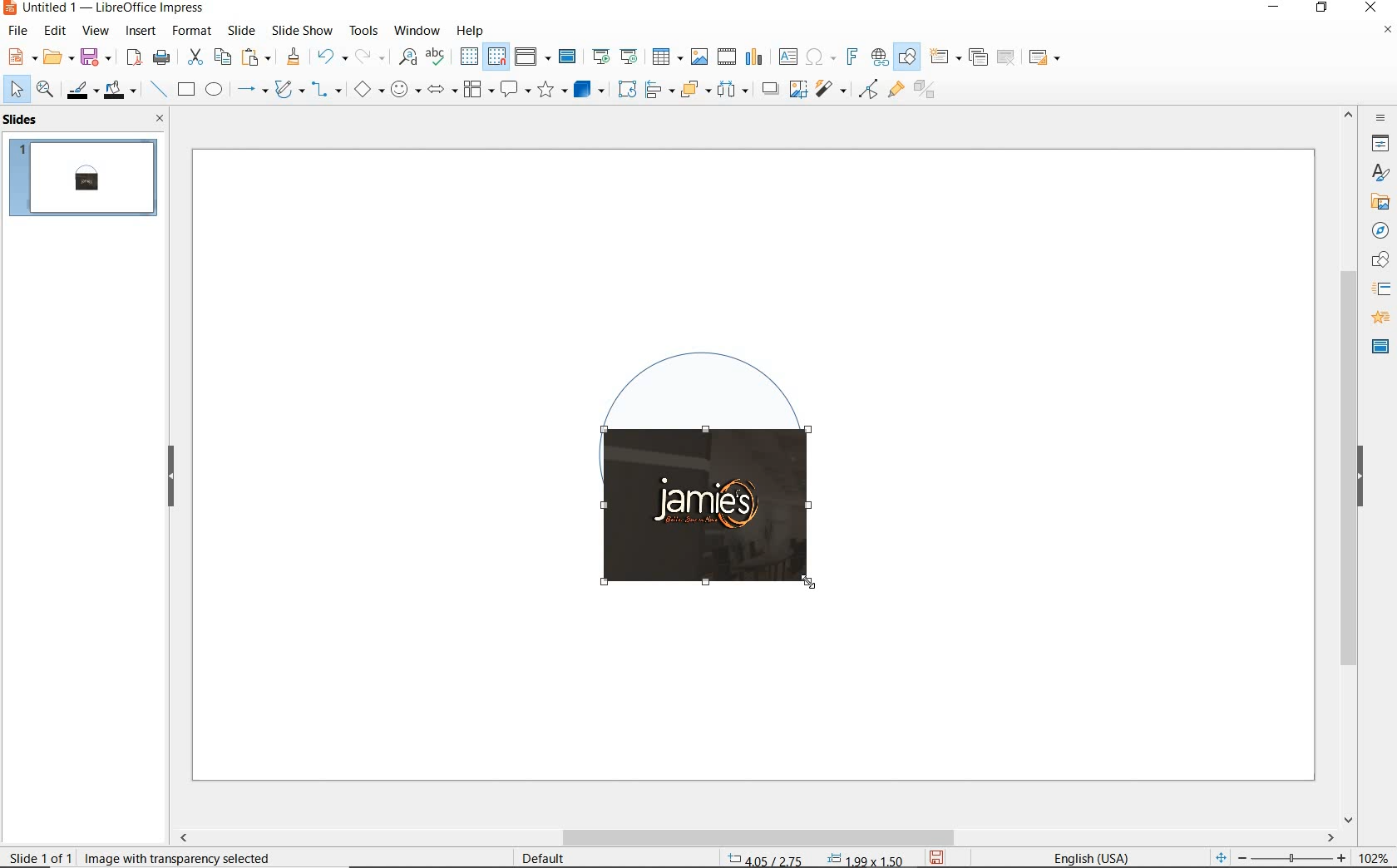  What do you see at coordinates (24, 120) in the screenshot?
I see `slides` at bounding box center [24, 120].